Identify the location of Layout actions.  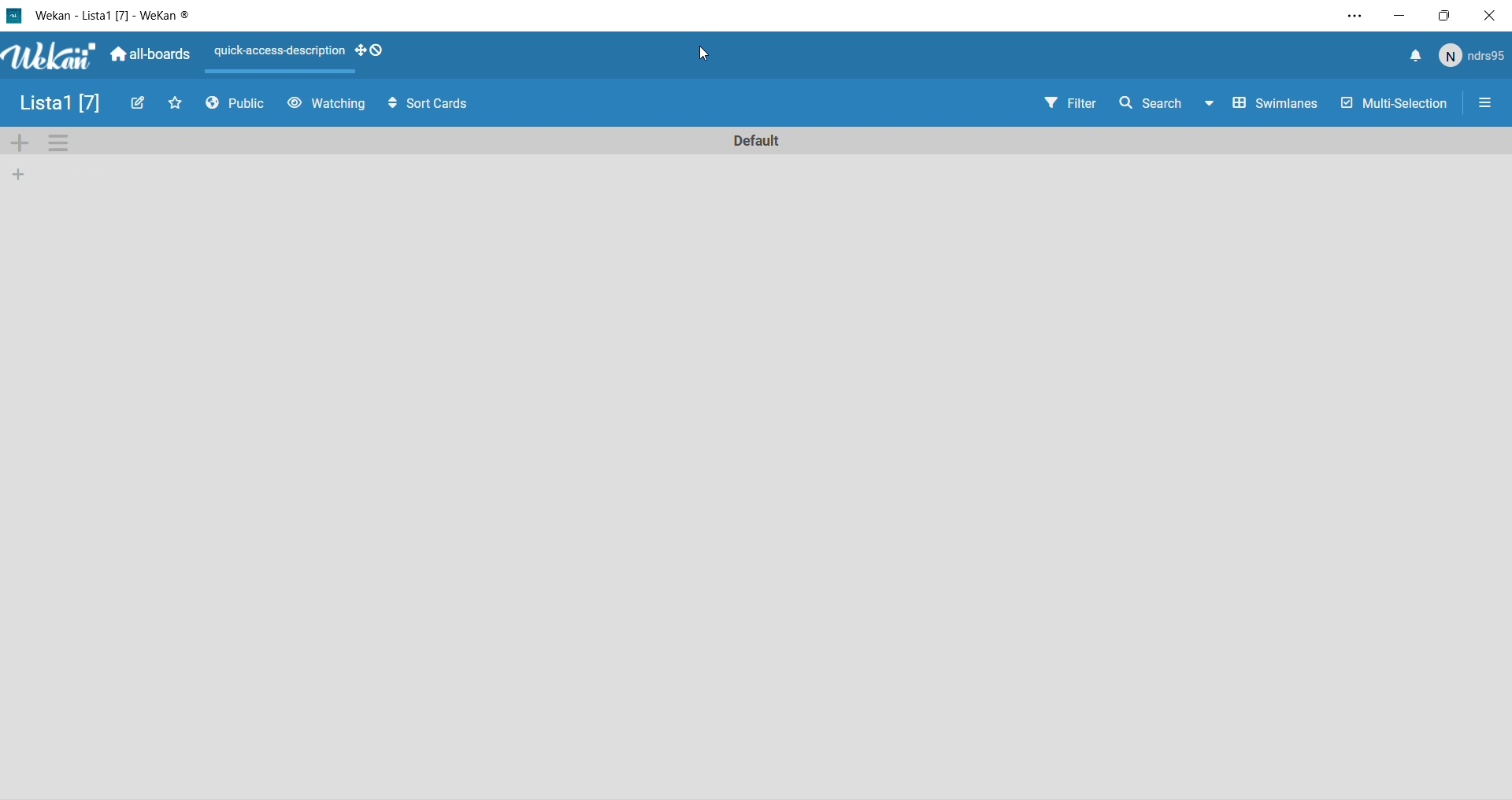
(276, 52).